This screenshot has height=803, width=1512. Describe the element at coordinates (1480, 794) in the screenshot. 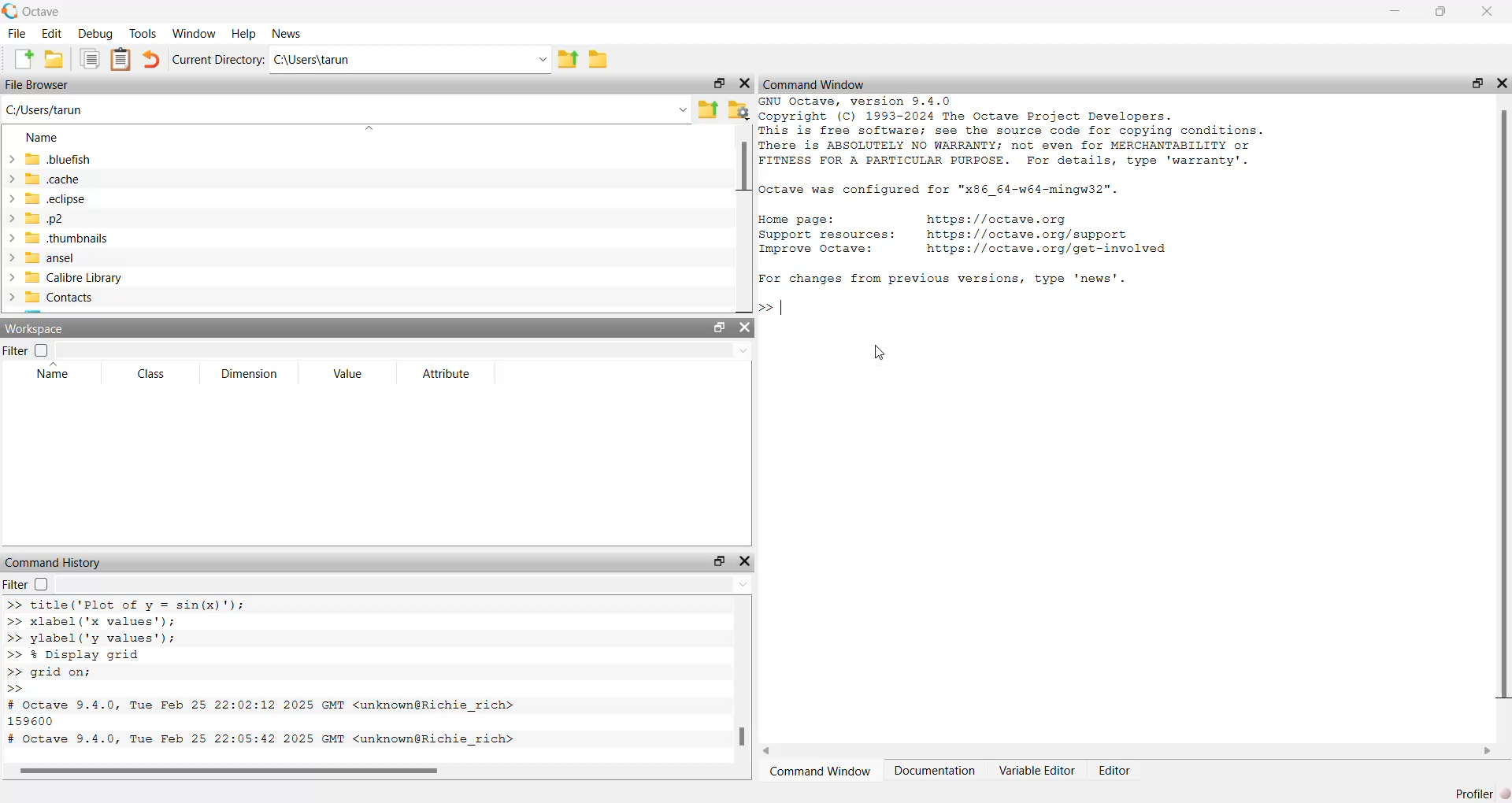

I see `Profiler` at that location.